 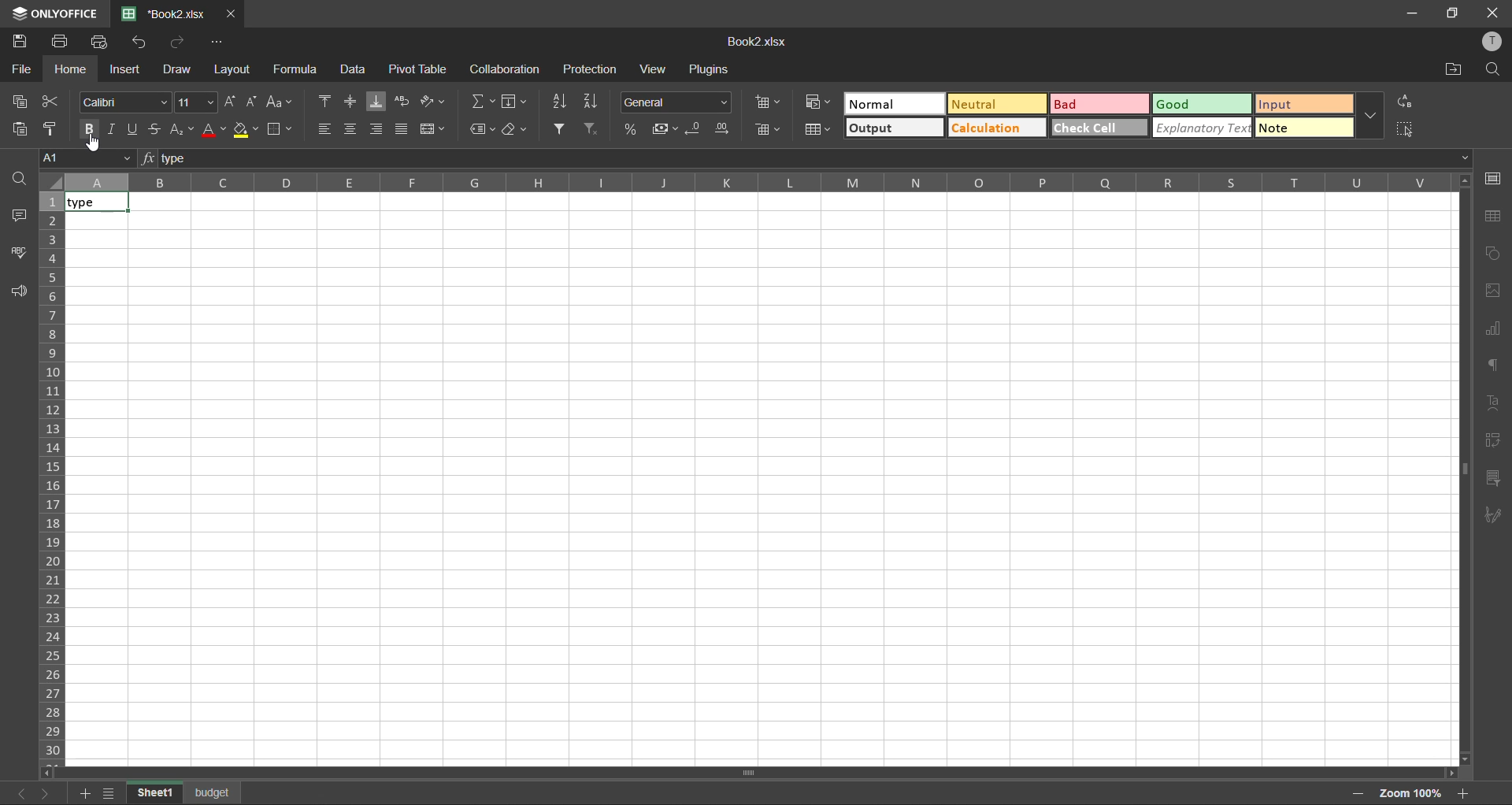 I want to click on comments, so click(x=20, y=217).